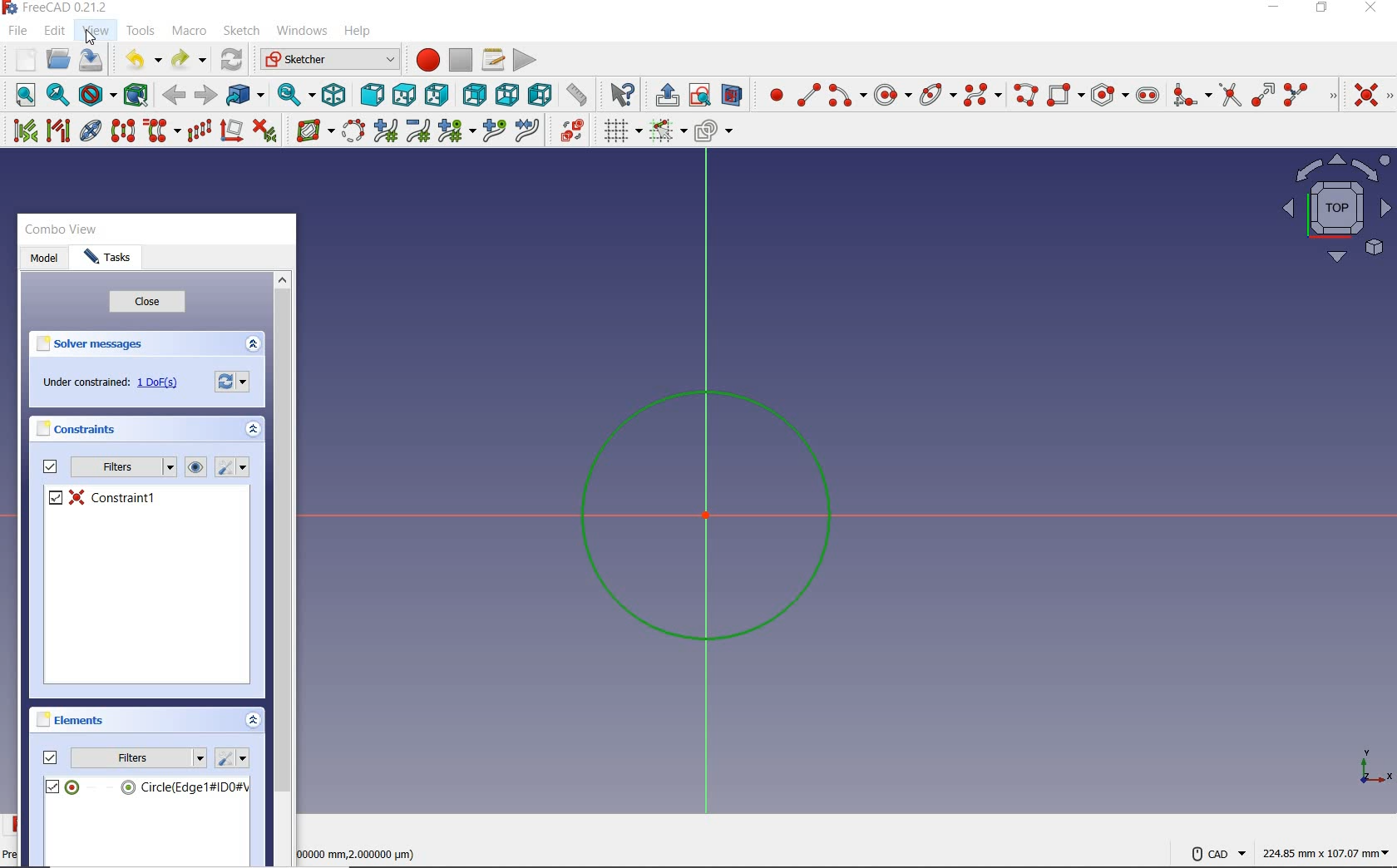  Describe the element at coordinates (939, 96) in the screenshot. I see `create conic` at that location.